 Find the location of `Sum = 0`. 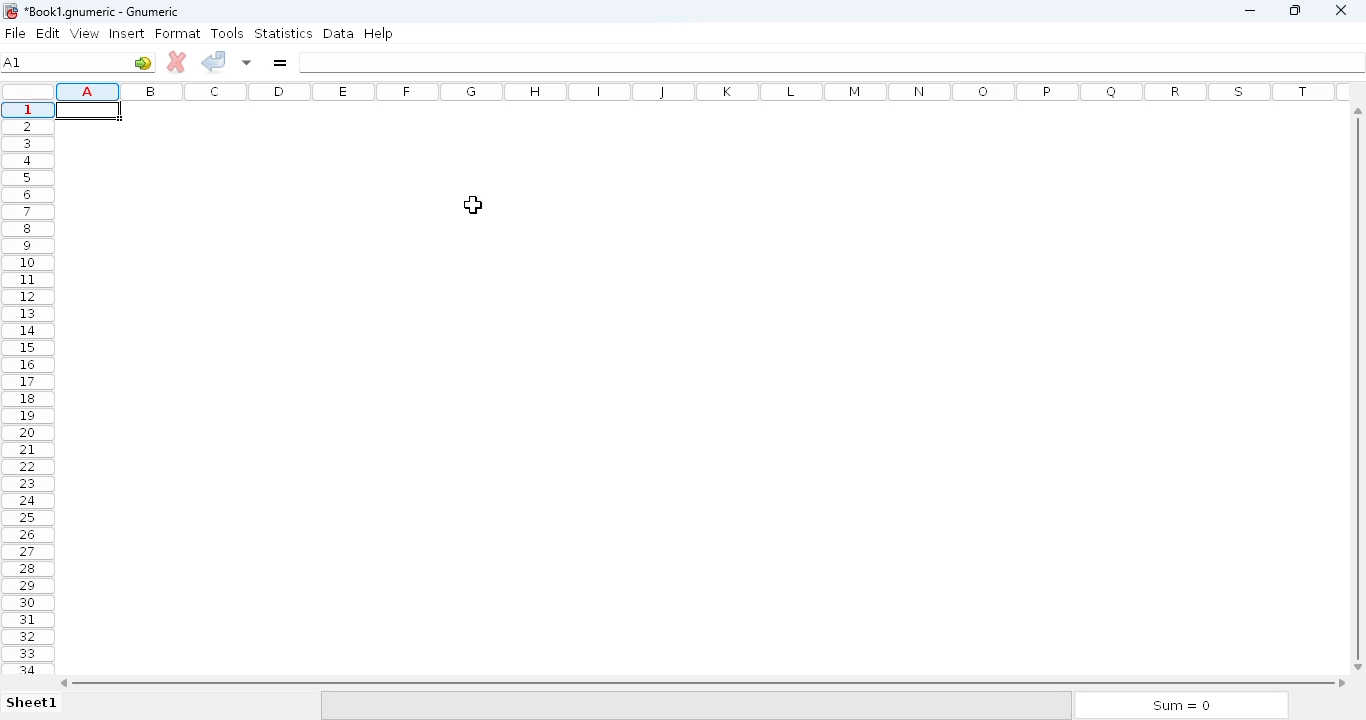

Sum = 0 is located at coordinates (1176, 706).